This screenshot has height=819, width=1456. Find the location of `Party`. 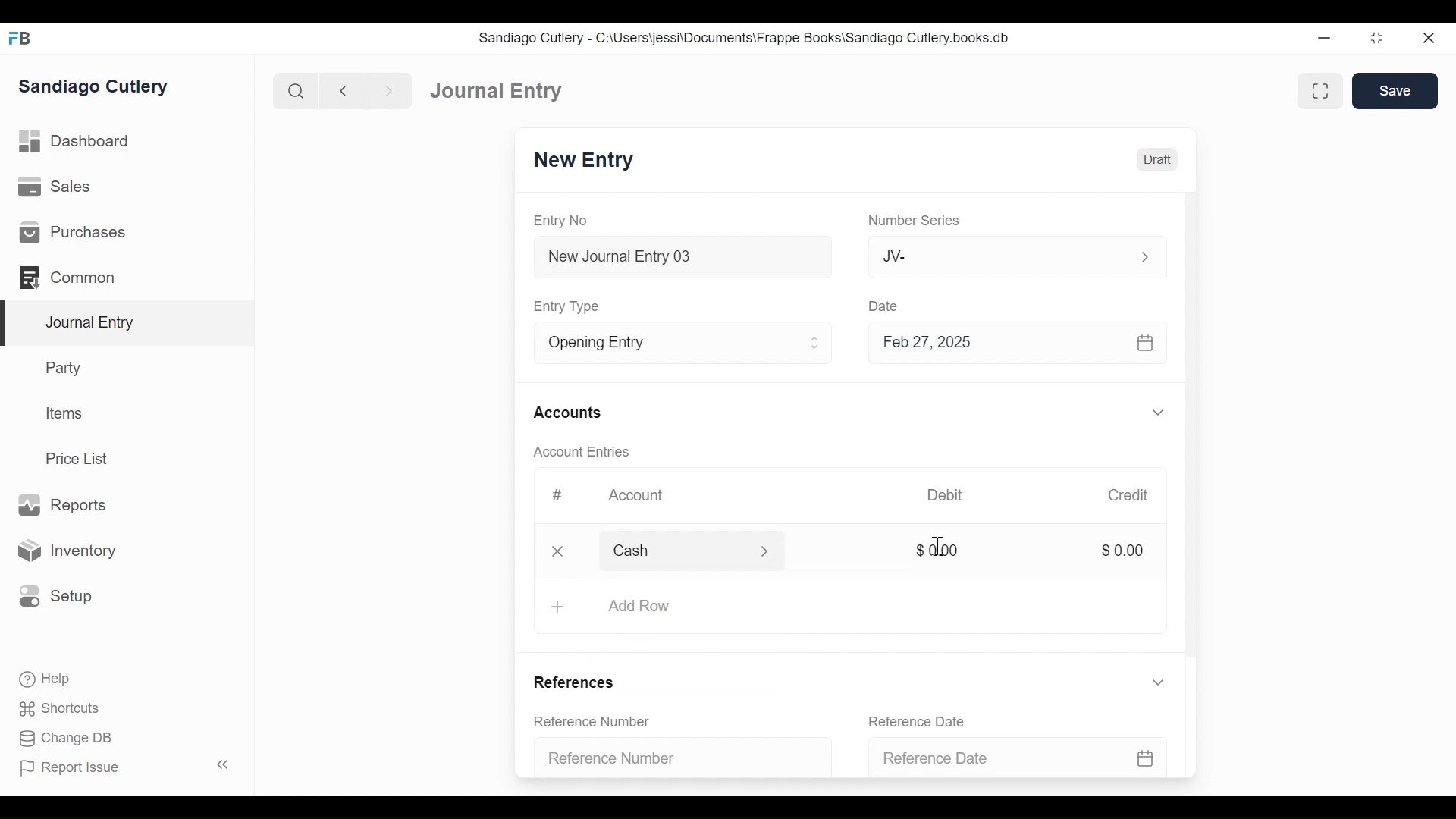

Party is located at coordinates (66, 367).